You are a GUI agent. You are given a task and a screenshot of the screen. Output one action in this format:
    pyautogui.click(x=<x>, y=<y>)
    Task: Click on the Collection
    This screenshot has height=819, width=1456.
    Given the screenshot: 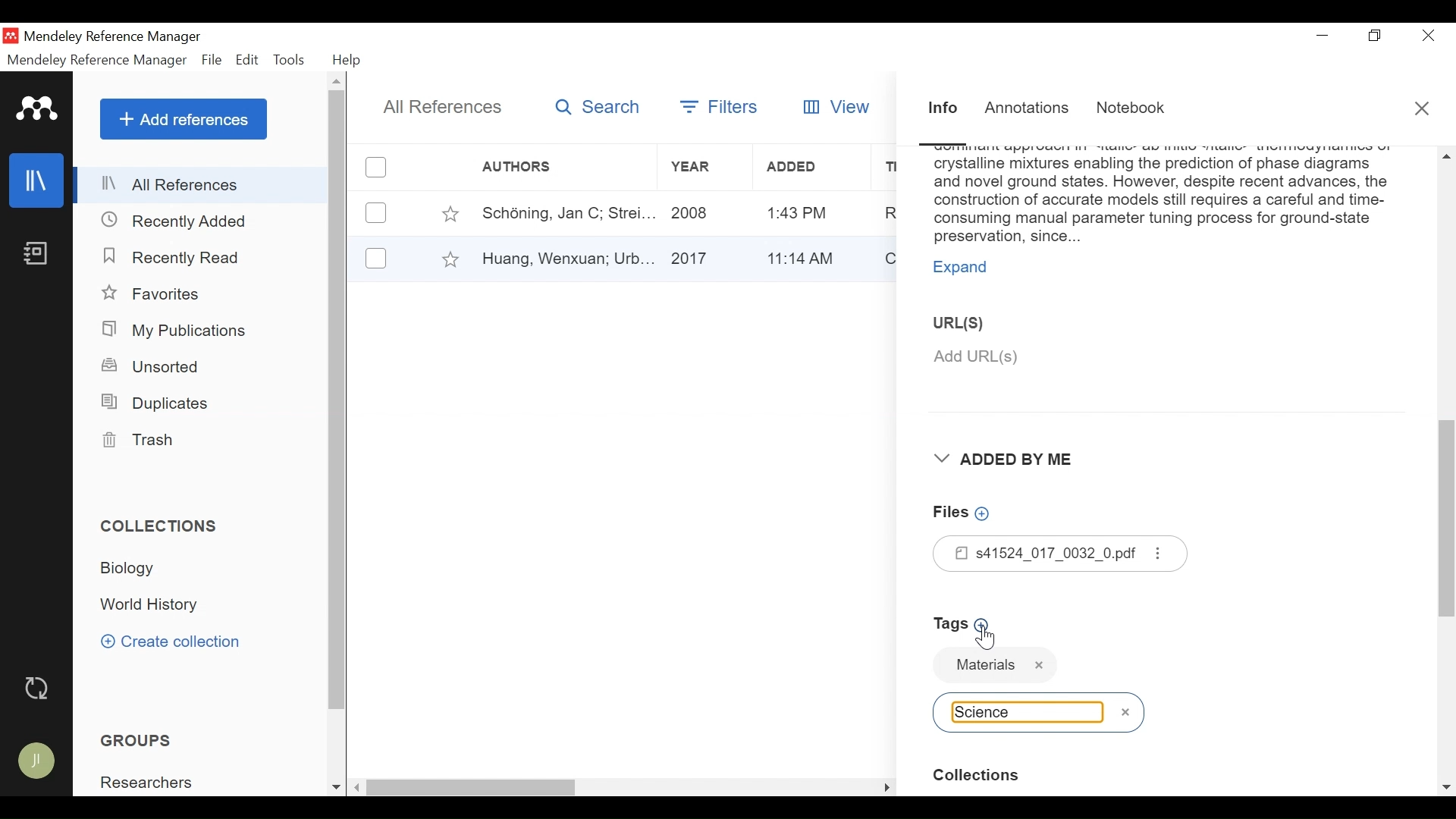 What is the action you would take?
    pyautogui.click(x=982, y=777)
    